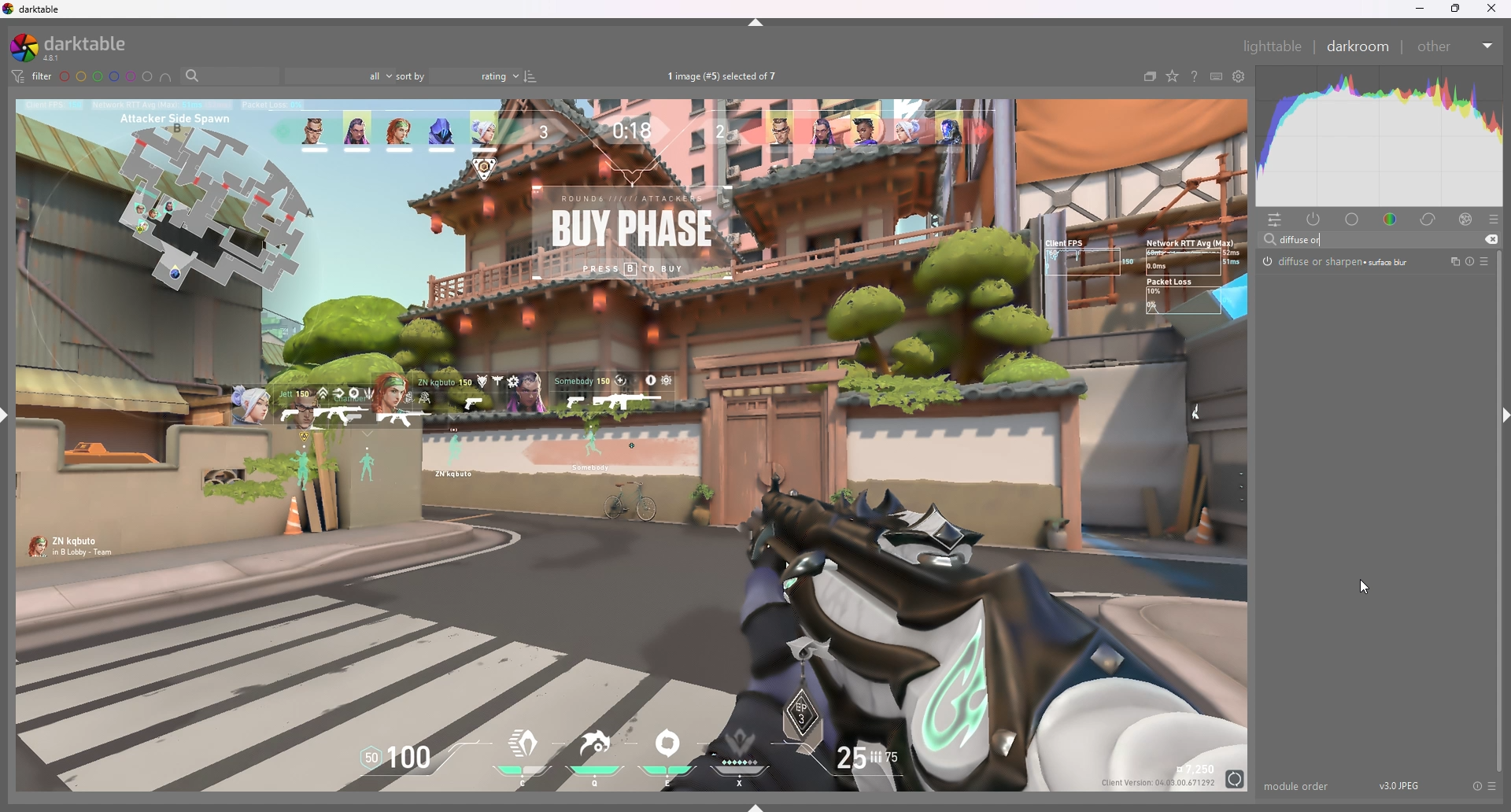 This screenshot has width=1511, height=812. What do you see at coordinates (1360, 46) in the screenshot?
I see `darkroom` at bounding box center [1360, 46].